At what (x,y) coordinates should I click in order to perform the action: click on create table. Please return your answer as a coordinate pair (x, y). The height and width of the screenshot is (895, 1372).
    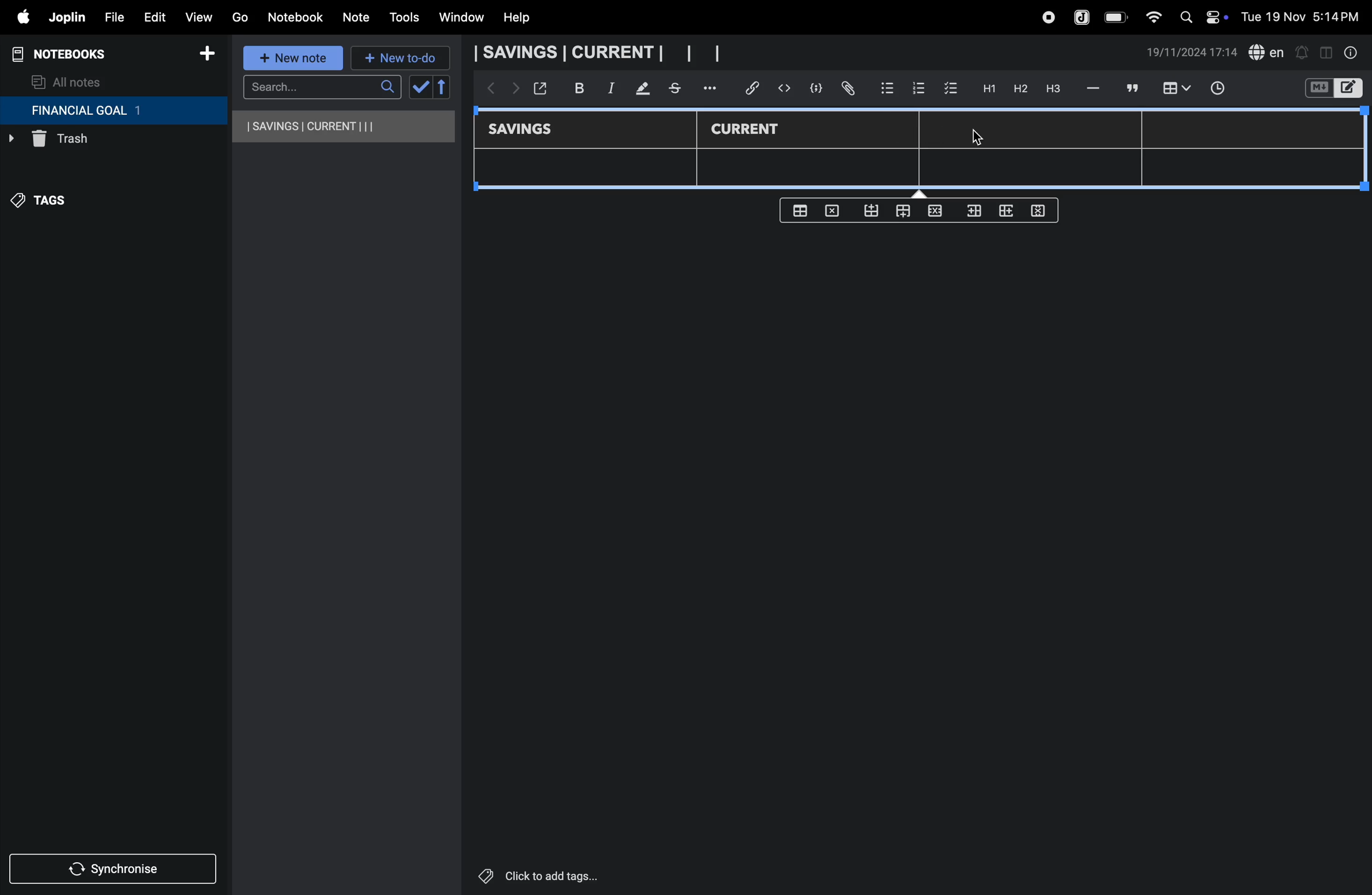
    Looking at the image, I should click on (800, 210).